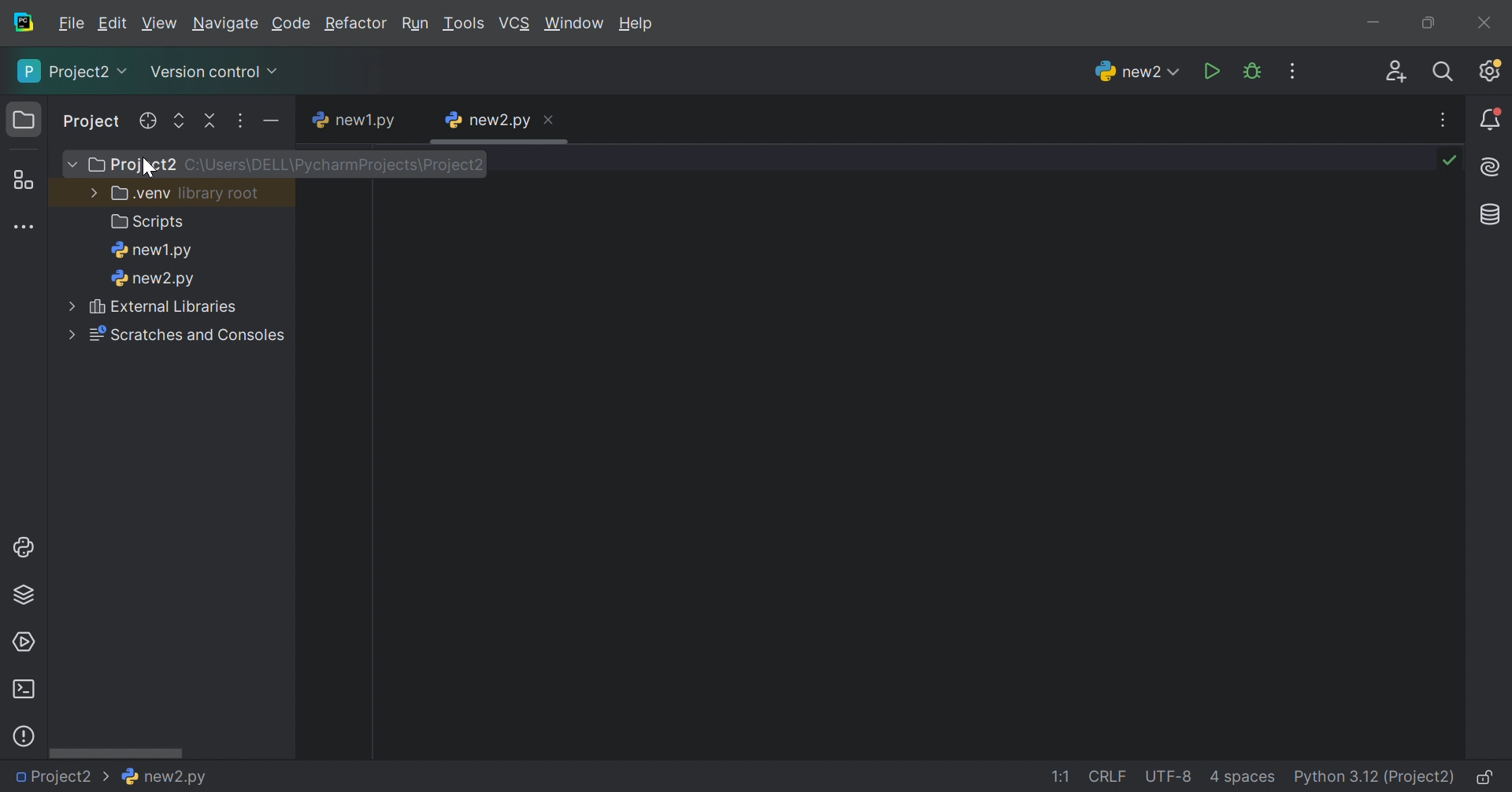 The width and height of the screenshot is (1512, 792). What do you see at coordinates (24, 597) in the screenshot?
I see `Python Packages` at bounding box center [24, 597].